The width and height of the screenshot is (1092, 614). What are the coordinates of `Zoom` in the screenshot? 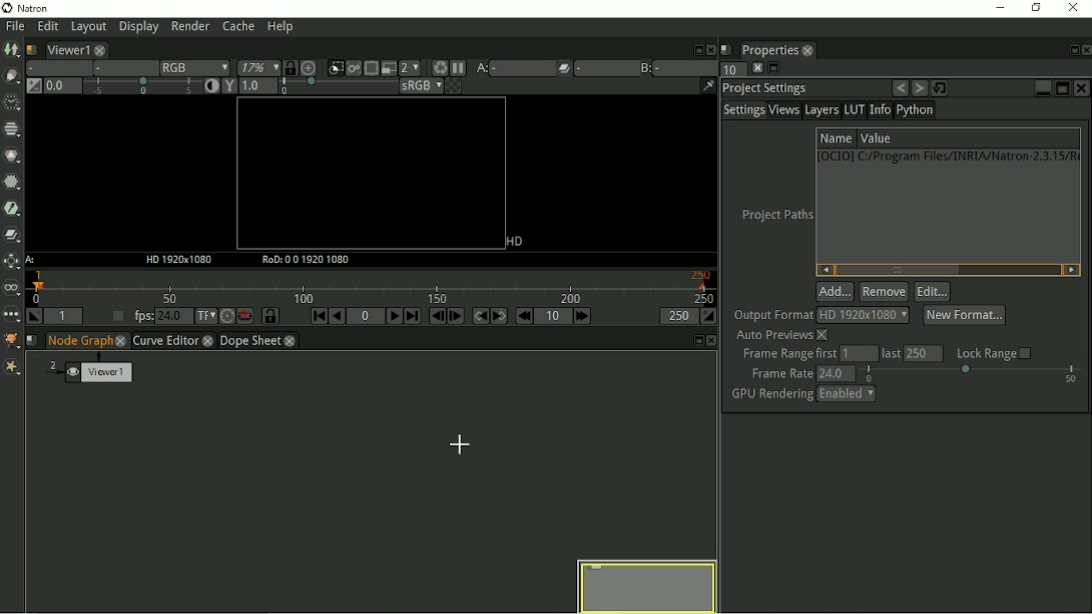 It's located at (255, 68).